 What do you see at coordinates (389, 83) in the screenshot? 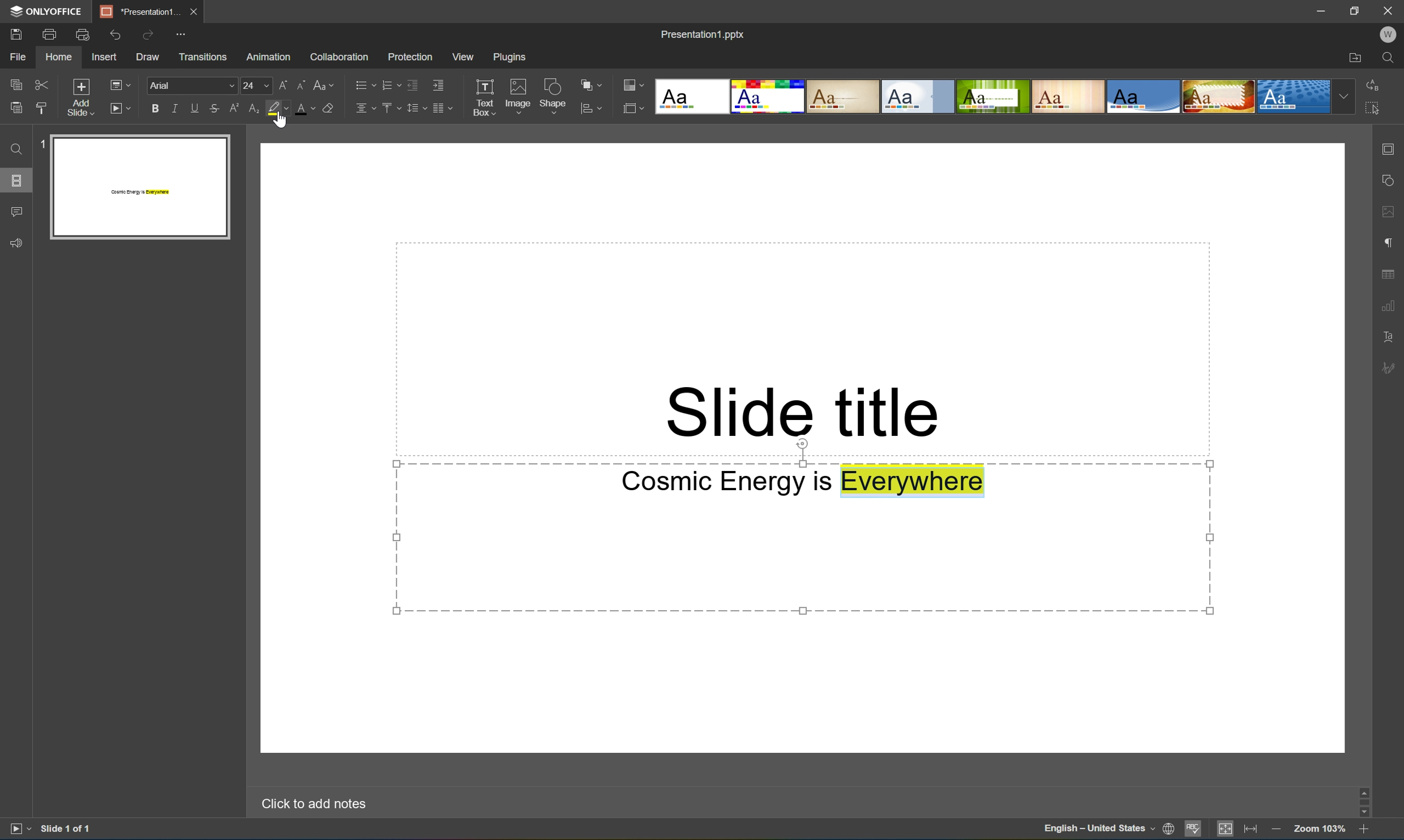
I see `Numbering` at bounding box center [389, 83].